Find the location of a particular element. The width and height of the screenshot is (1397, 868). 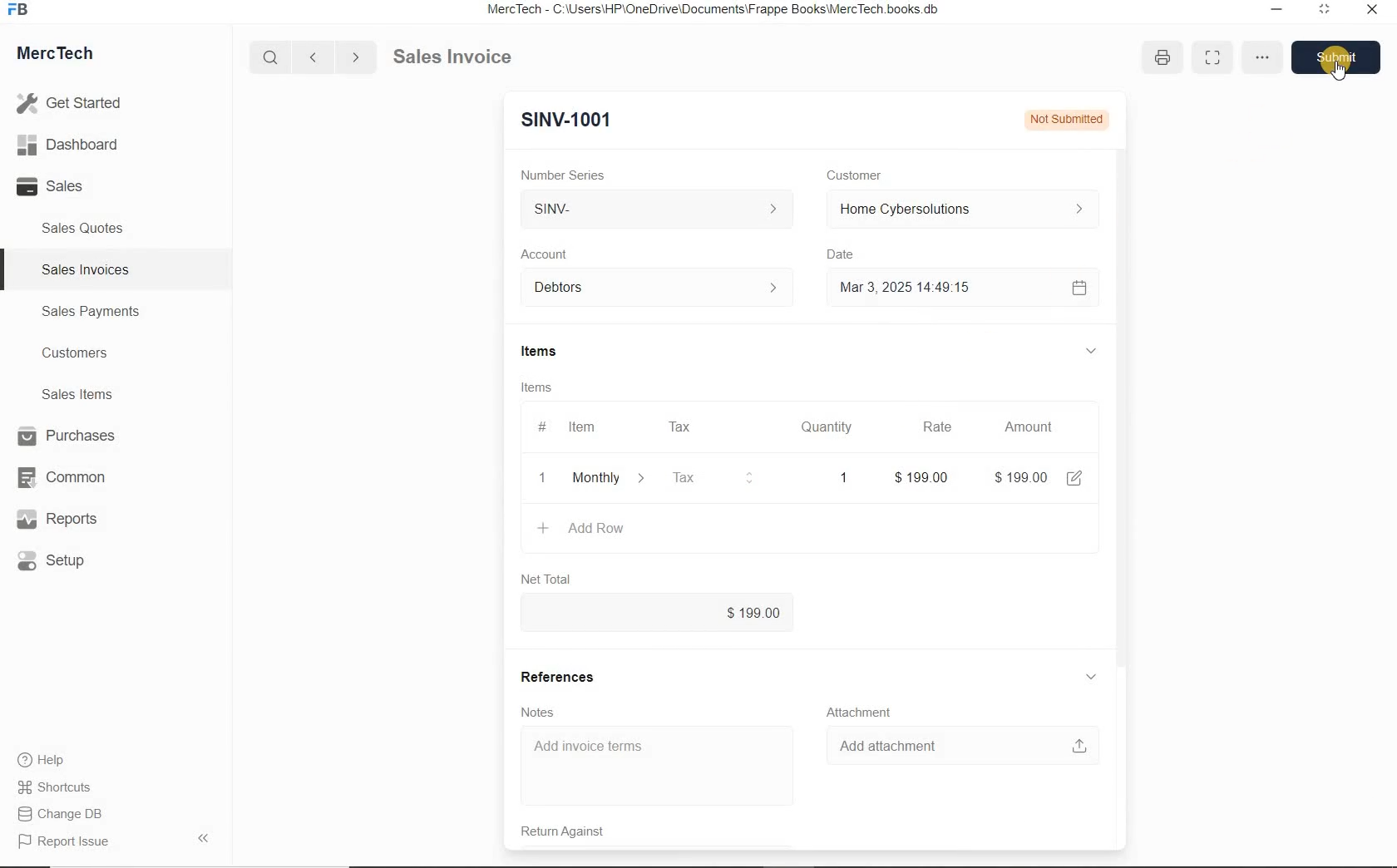

Customers is located at coordinates (90, 353).